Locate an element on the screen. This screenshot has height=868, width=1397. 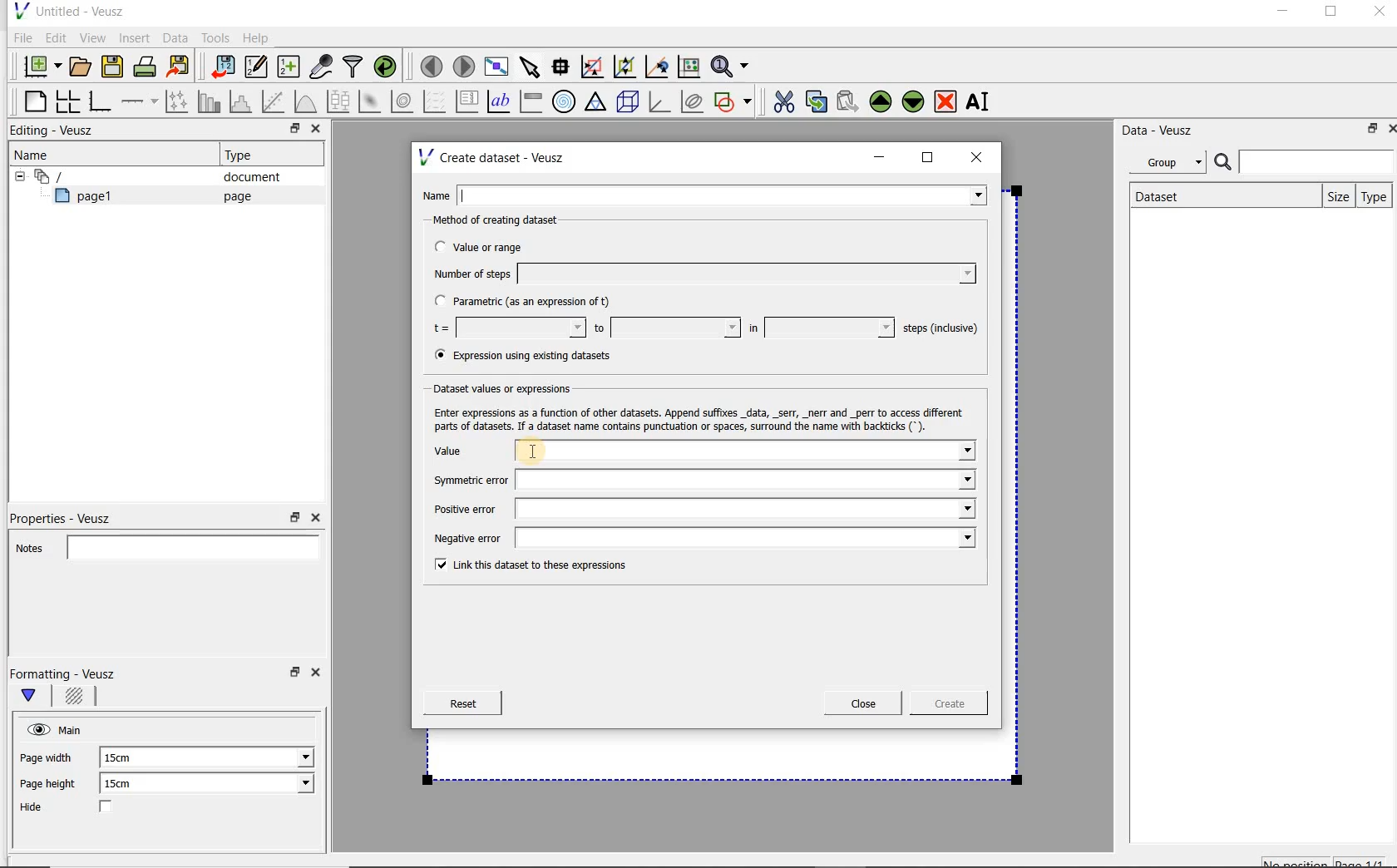
page1 is located at coordinates (91, 199).